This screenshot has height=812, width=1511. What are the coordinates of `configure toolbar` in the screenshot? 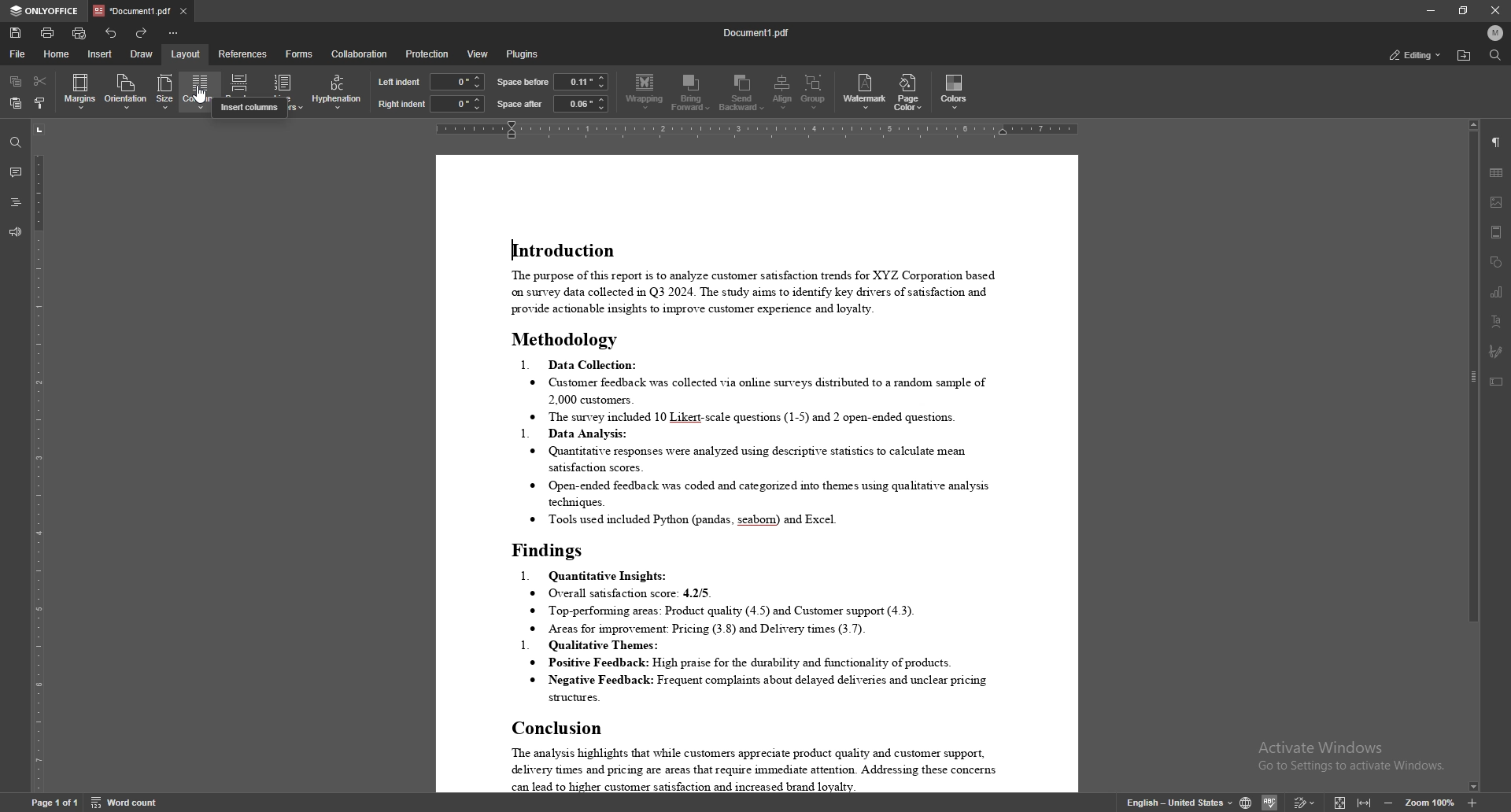 It's located at (176, 32).